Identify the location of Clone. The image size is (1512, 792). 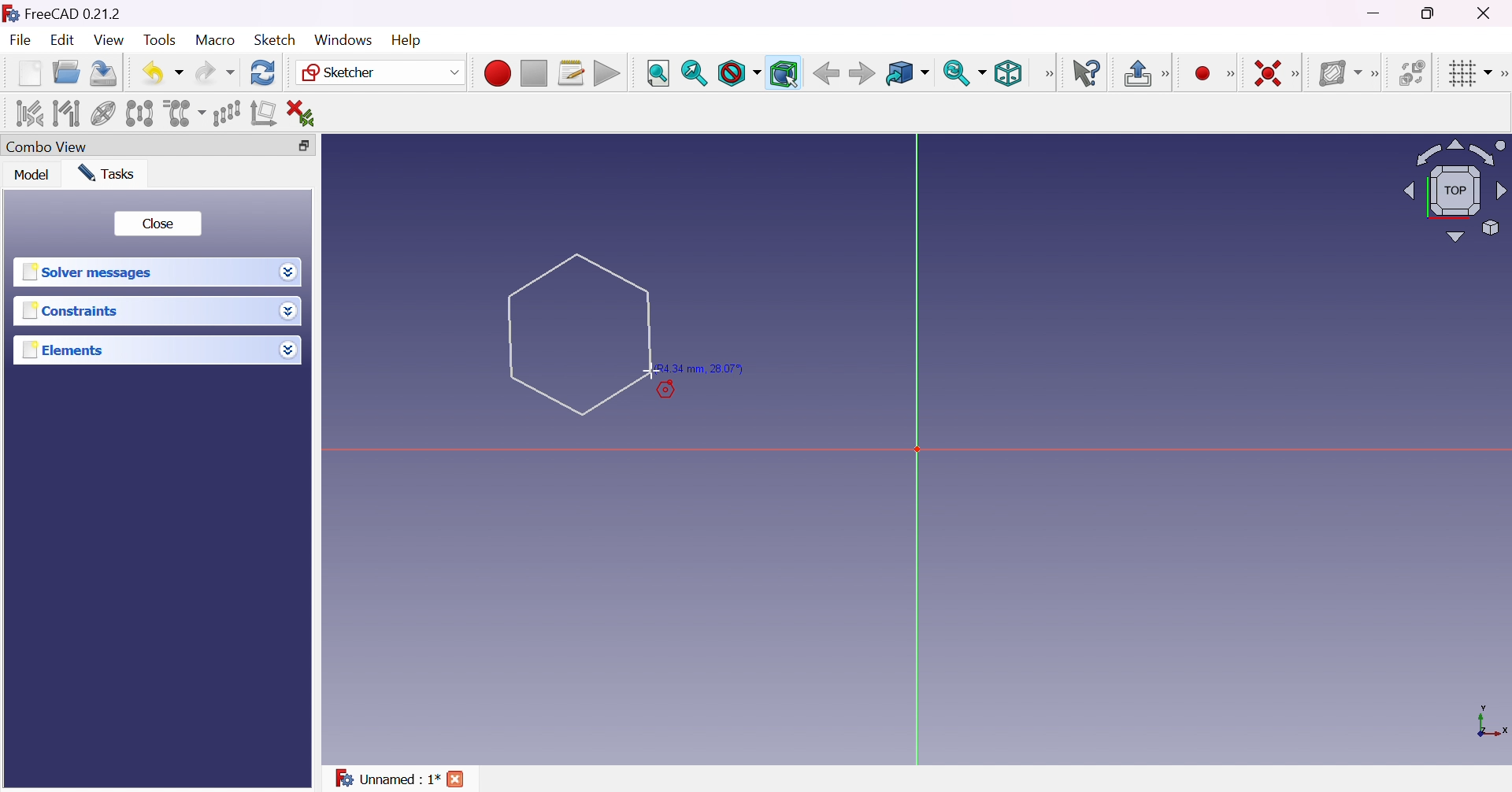
(183, 112).